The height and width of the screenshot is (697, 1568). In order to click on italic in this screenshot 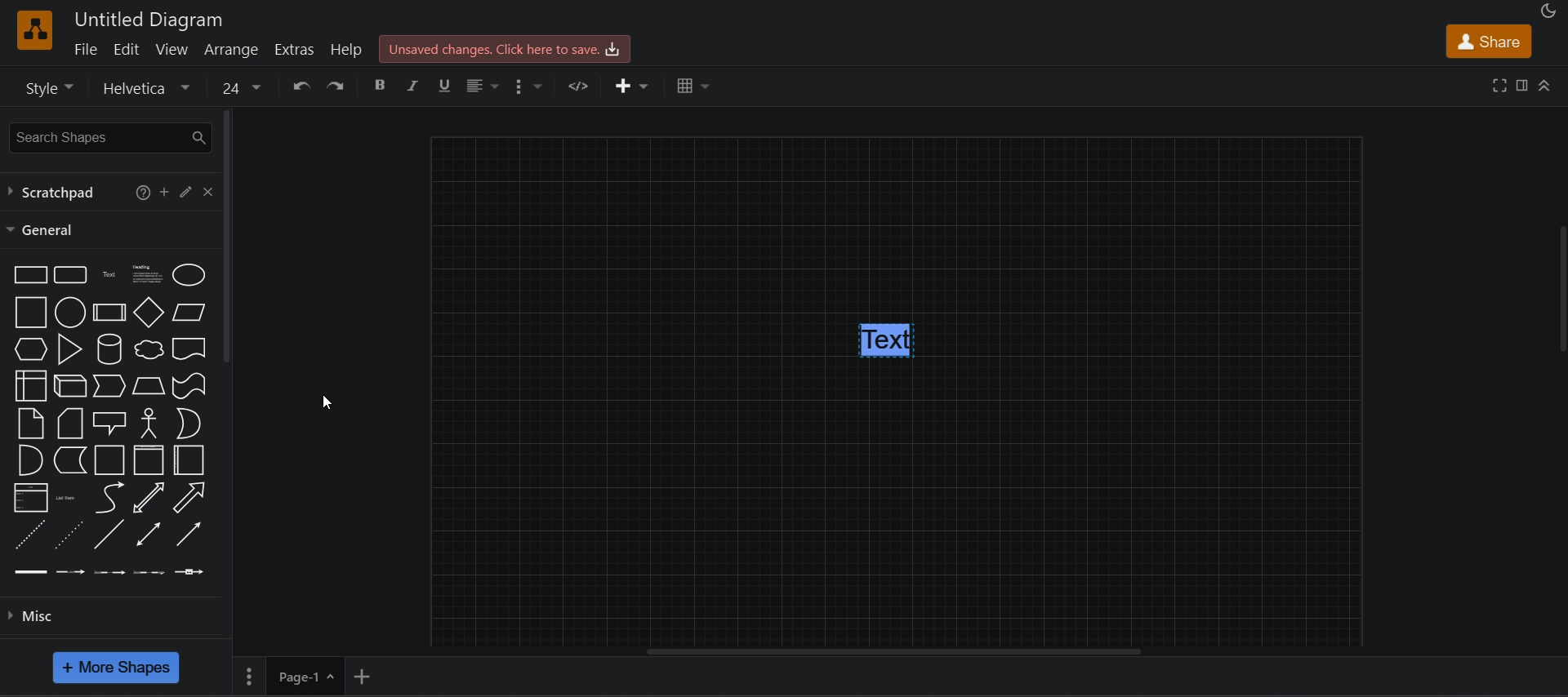, I will do `click(414, 86)`.